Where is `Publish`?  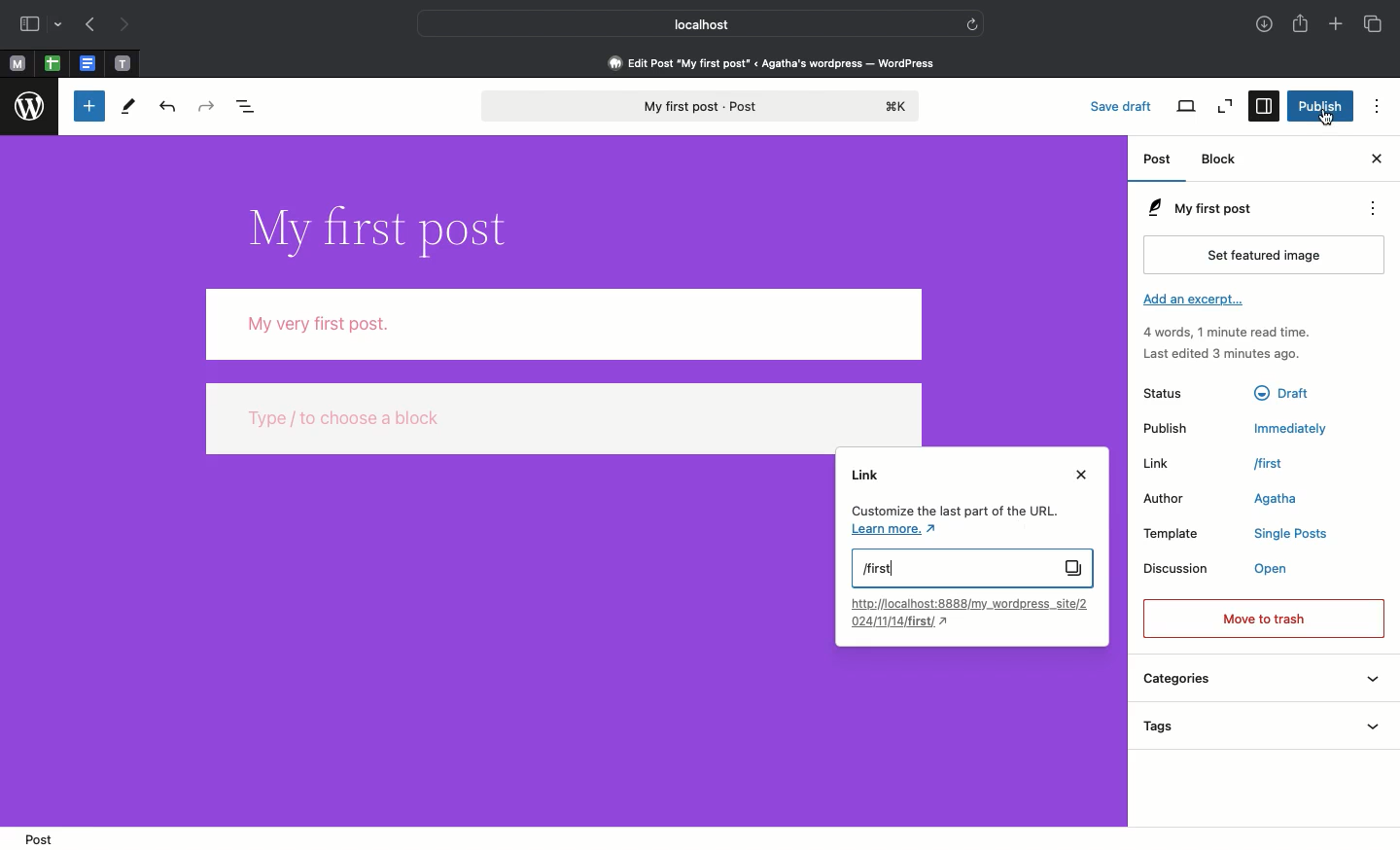 Publish is located at coordinates (1319, 105).